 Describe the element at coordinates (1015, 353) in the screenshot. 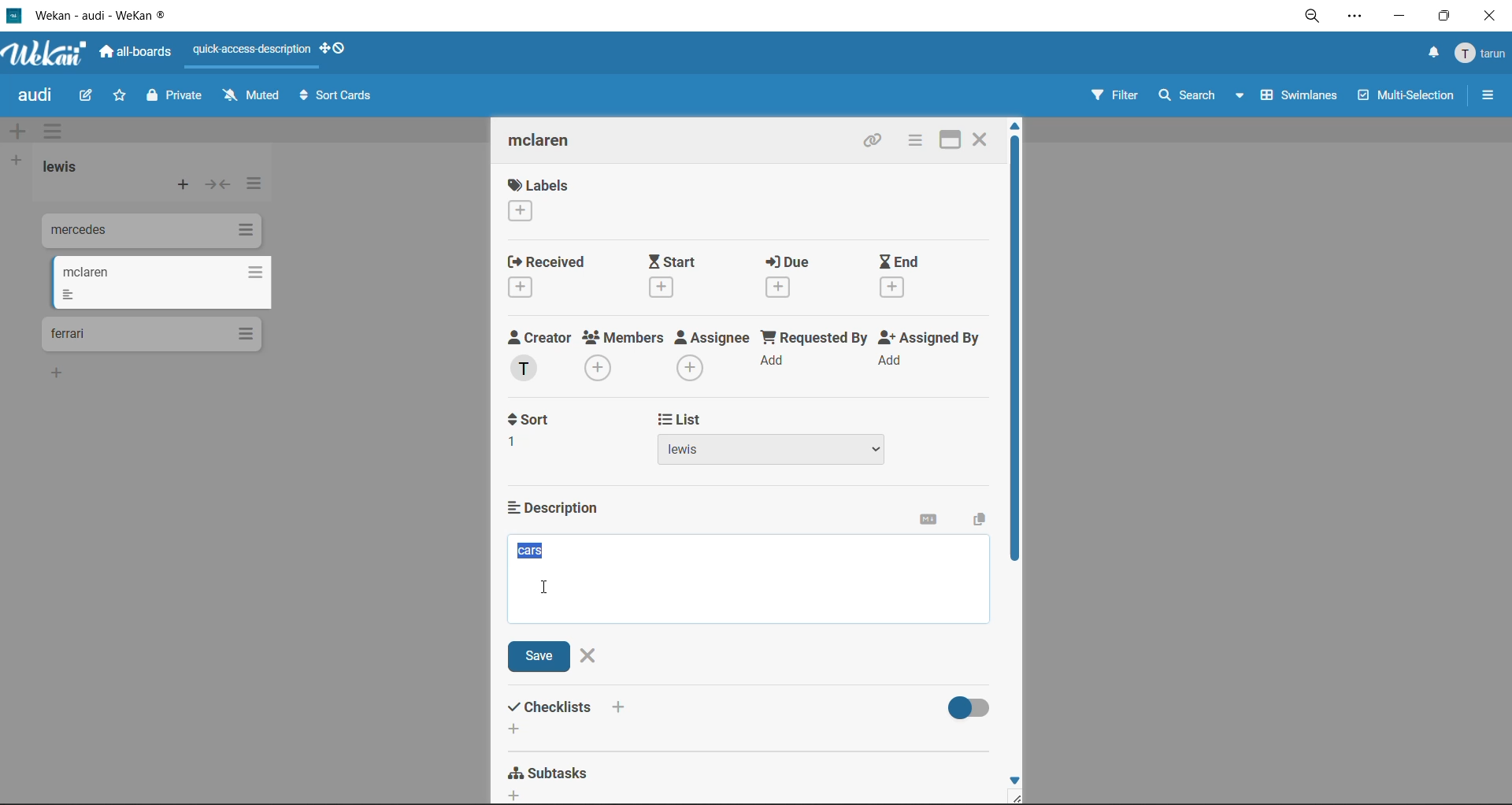

I see `vertical scroll bar` at that location.